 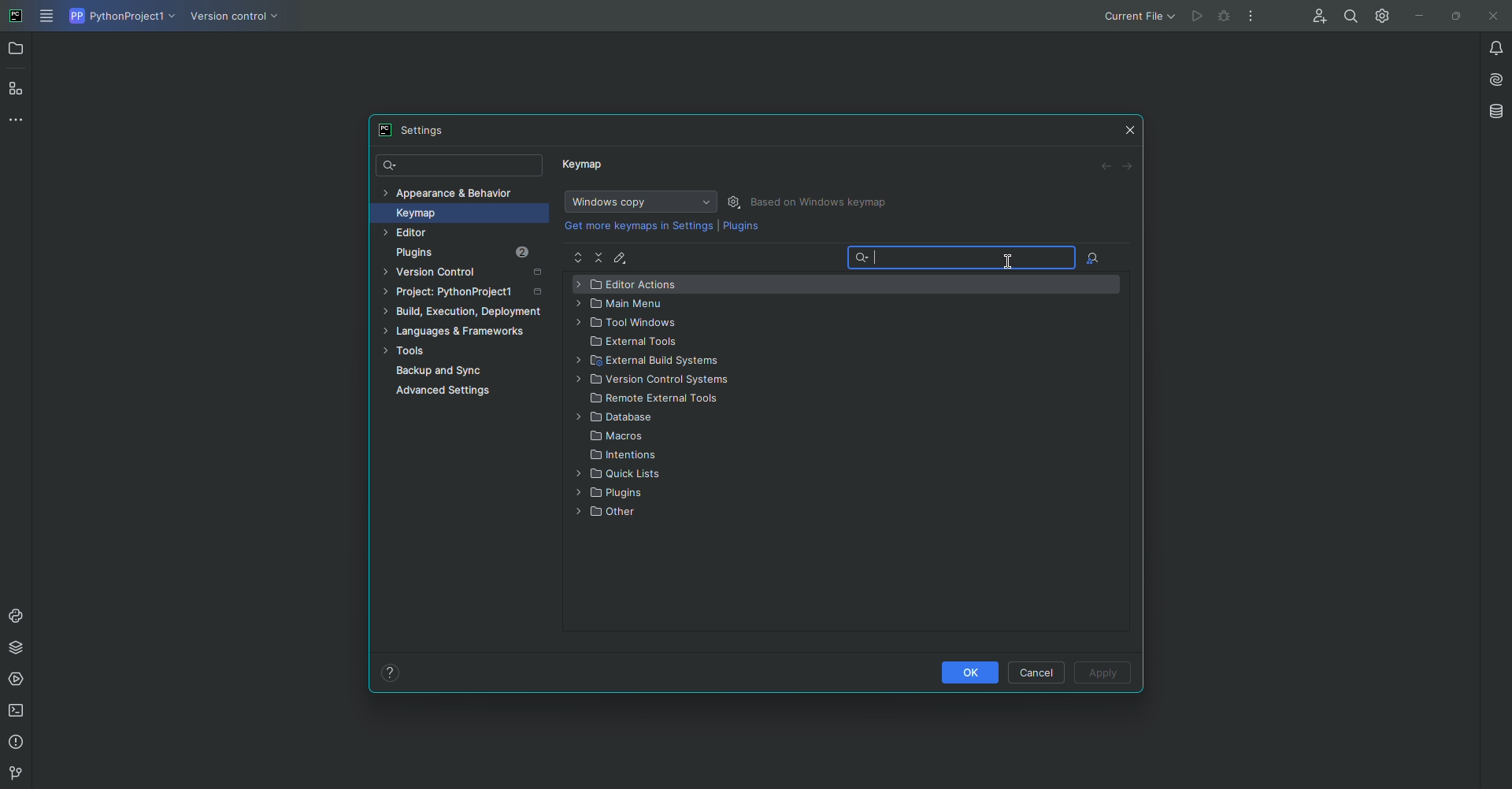 I want to click on Search, so click(x=461, y=166).